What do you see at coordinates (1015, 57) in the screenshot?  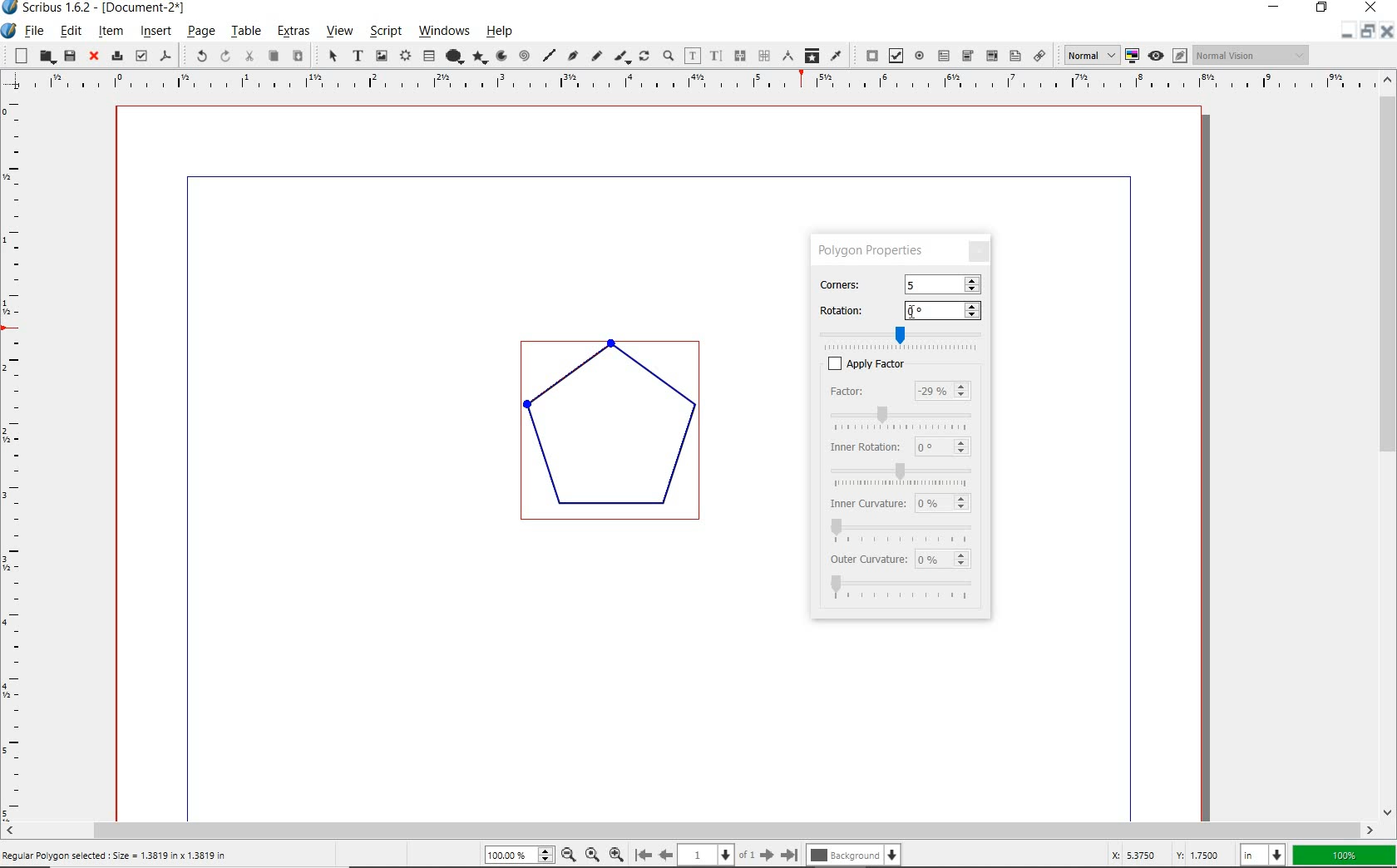 I see `pdf list box` at bounding box center [1015, 57].